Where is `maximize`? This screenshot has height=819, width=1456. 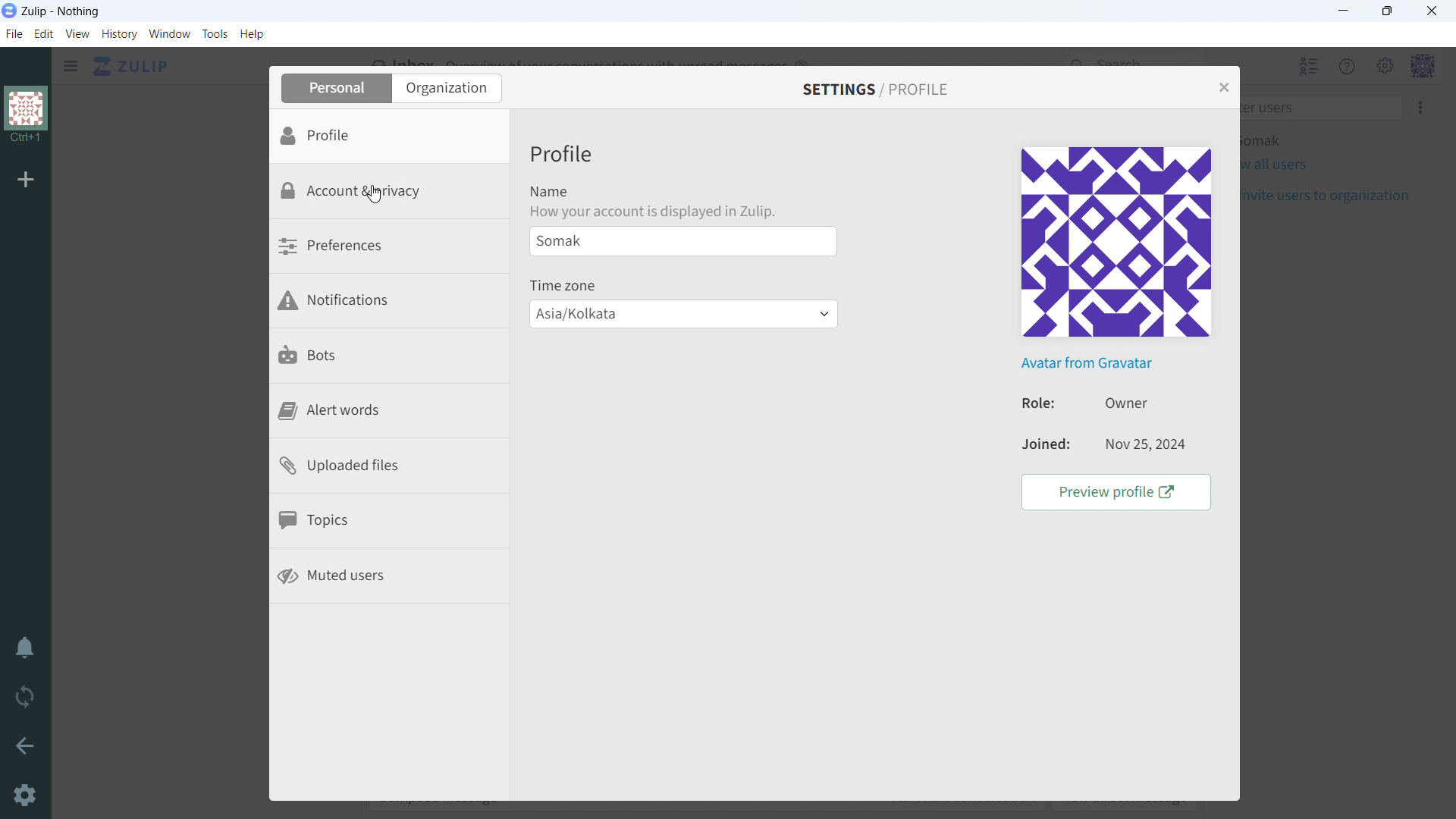
maximize is located at coordinates (1386, 11).